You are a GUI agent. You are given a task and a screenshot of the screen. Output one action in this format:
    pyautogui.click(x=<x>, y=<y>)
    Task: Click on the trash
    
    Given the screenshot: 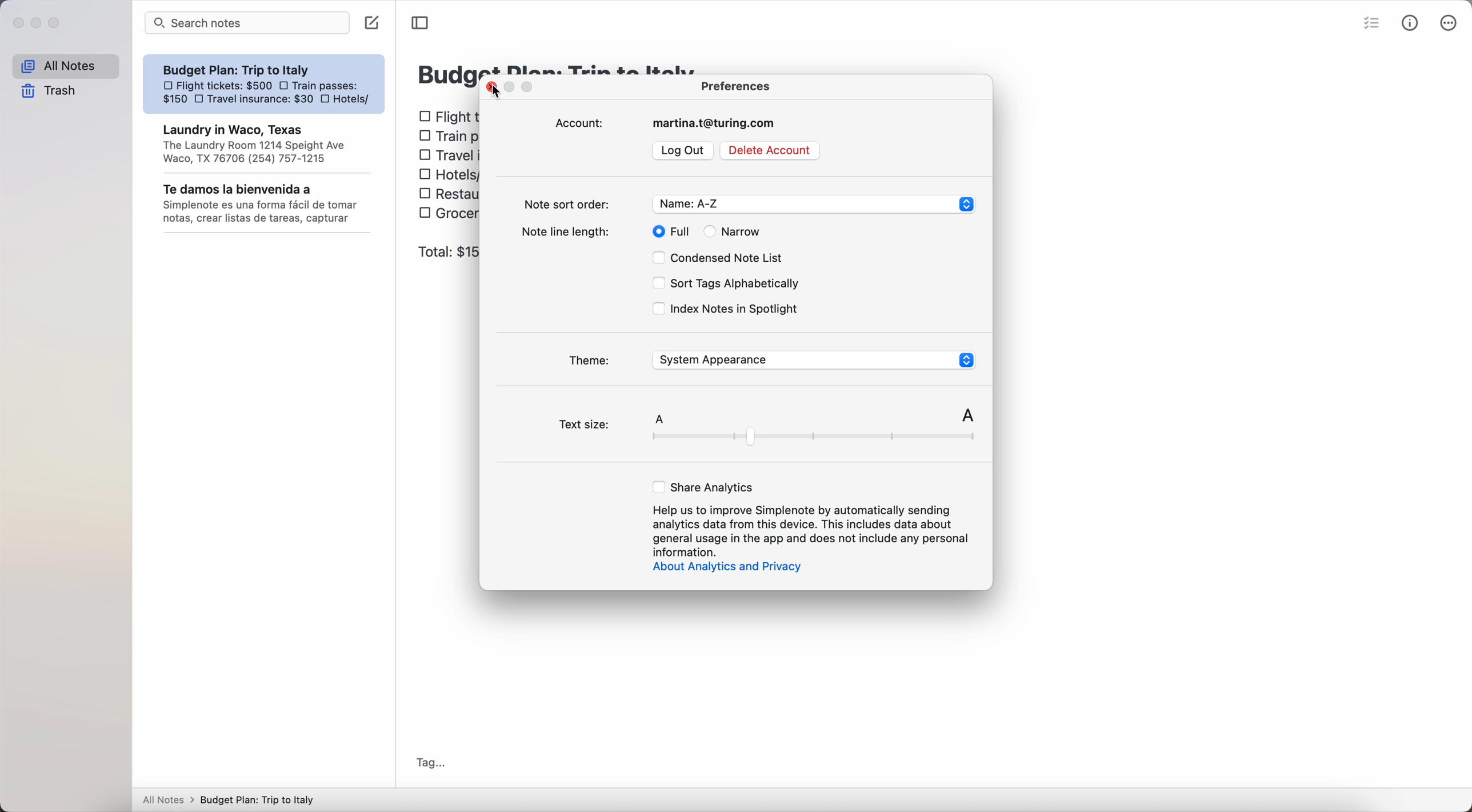 What is the action you would take?
    pyautogui.click(x=49, y=91)
    